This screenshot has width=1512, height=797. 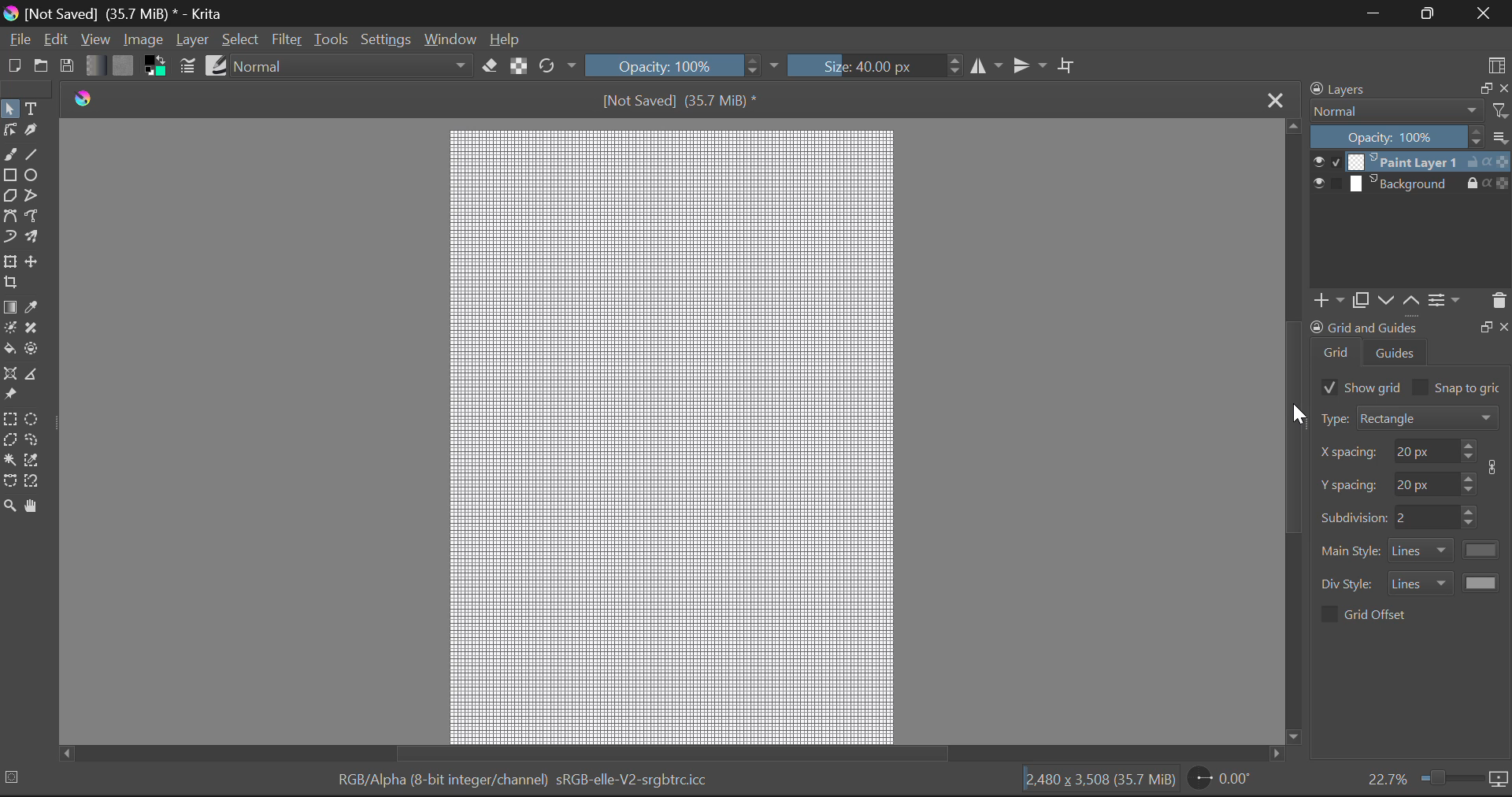 I want to click on Move Layer, so click(x=34, y=261).